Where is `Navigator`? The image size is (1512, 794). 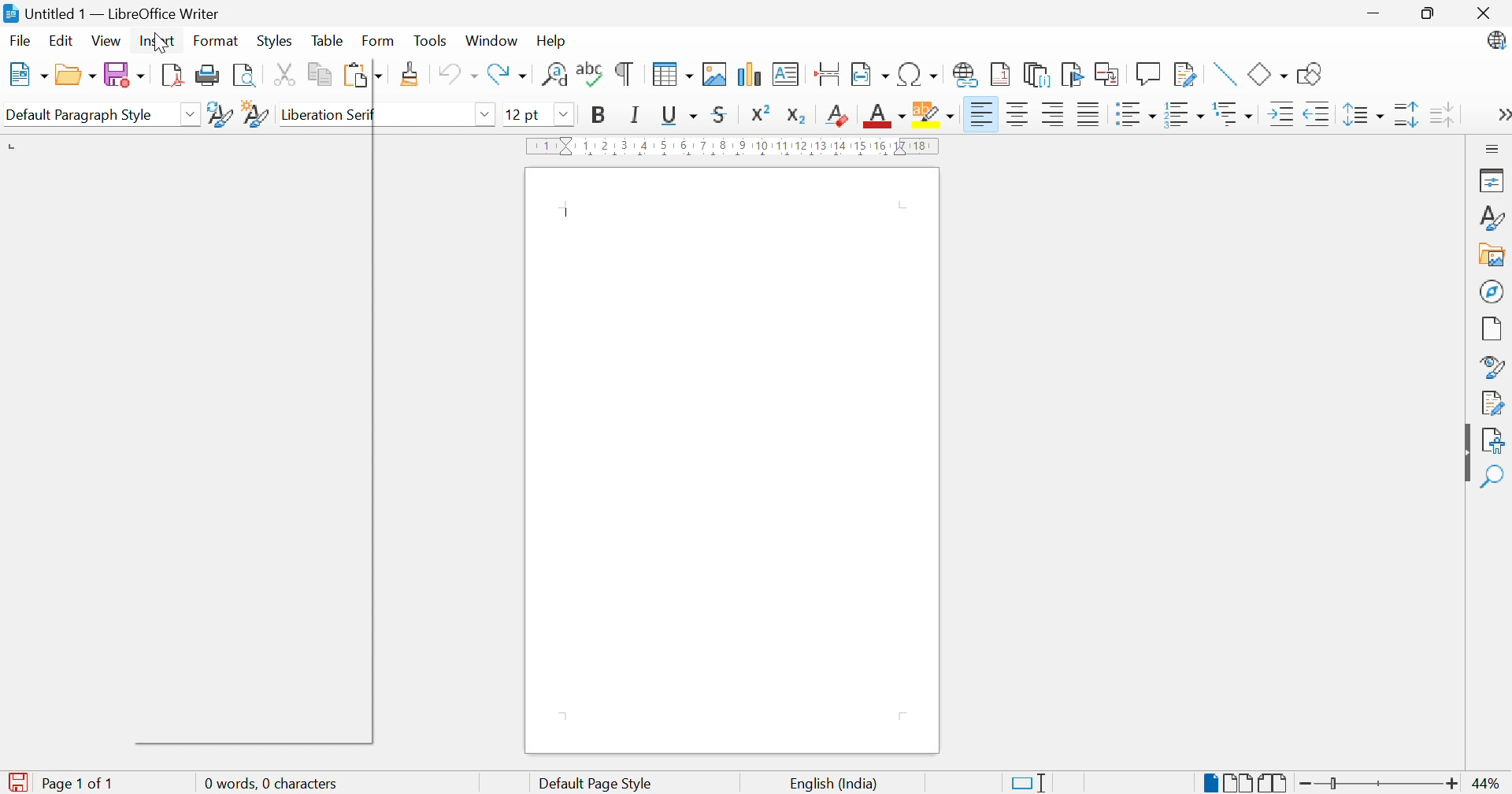
Navigator is located at coordinates (1494, 293).